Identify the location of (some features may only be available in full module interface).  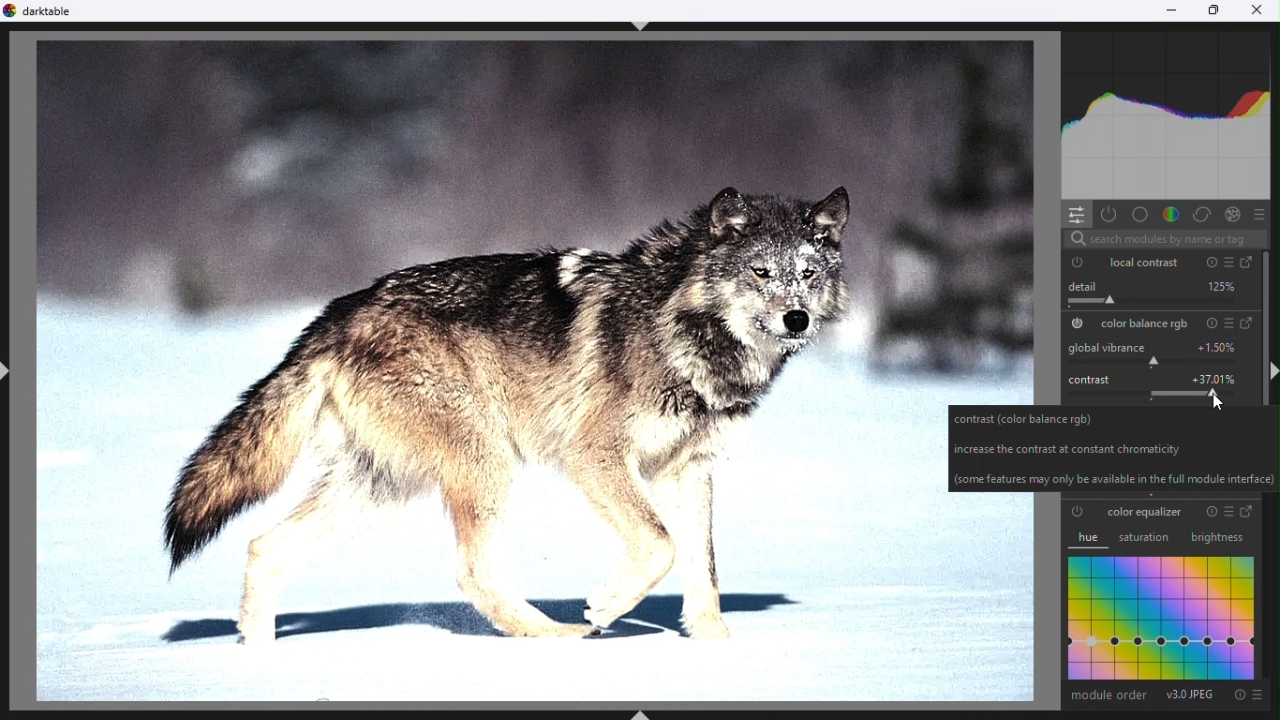
(1114, 479).